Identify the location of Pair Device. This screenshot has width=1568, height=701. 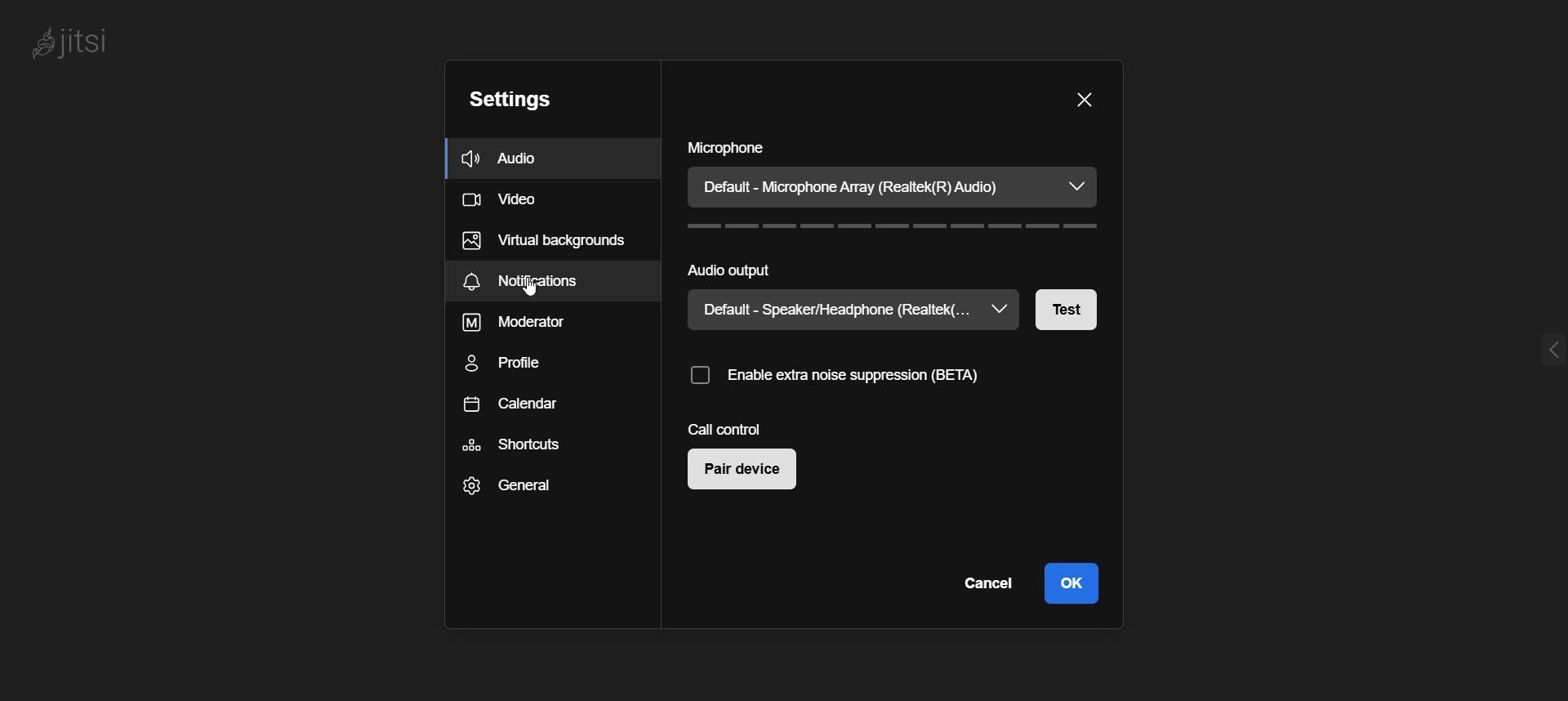
(746, 468).